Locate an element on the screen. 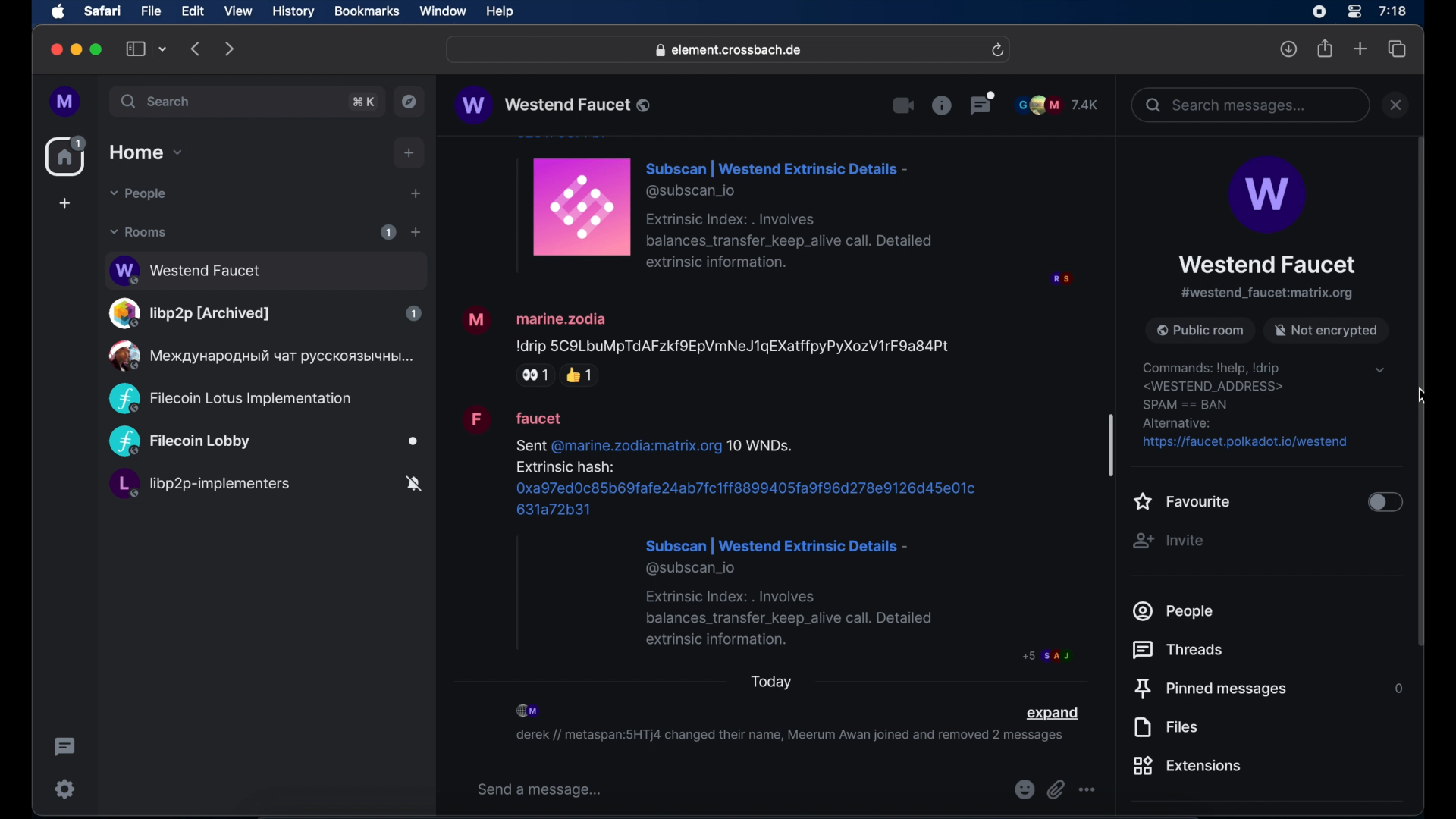 This screenshot has height=819, width=1456. people is located at coordinates (1175, 612).